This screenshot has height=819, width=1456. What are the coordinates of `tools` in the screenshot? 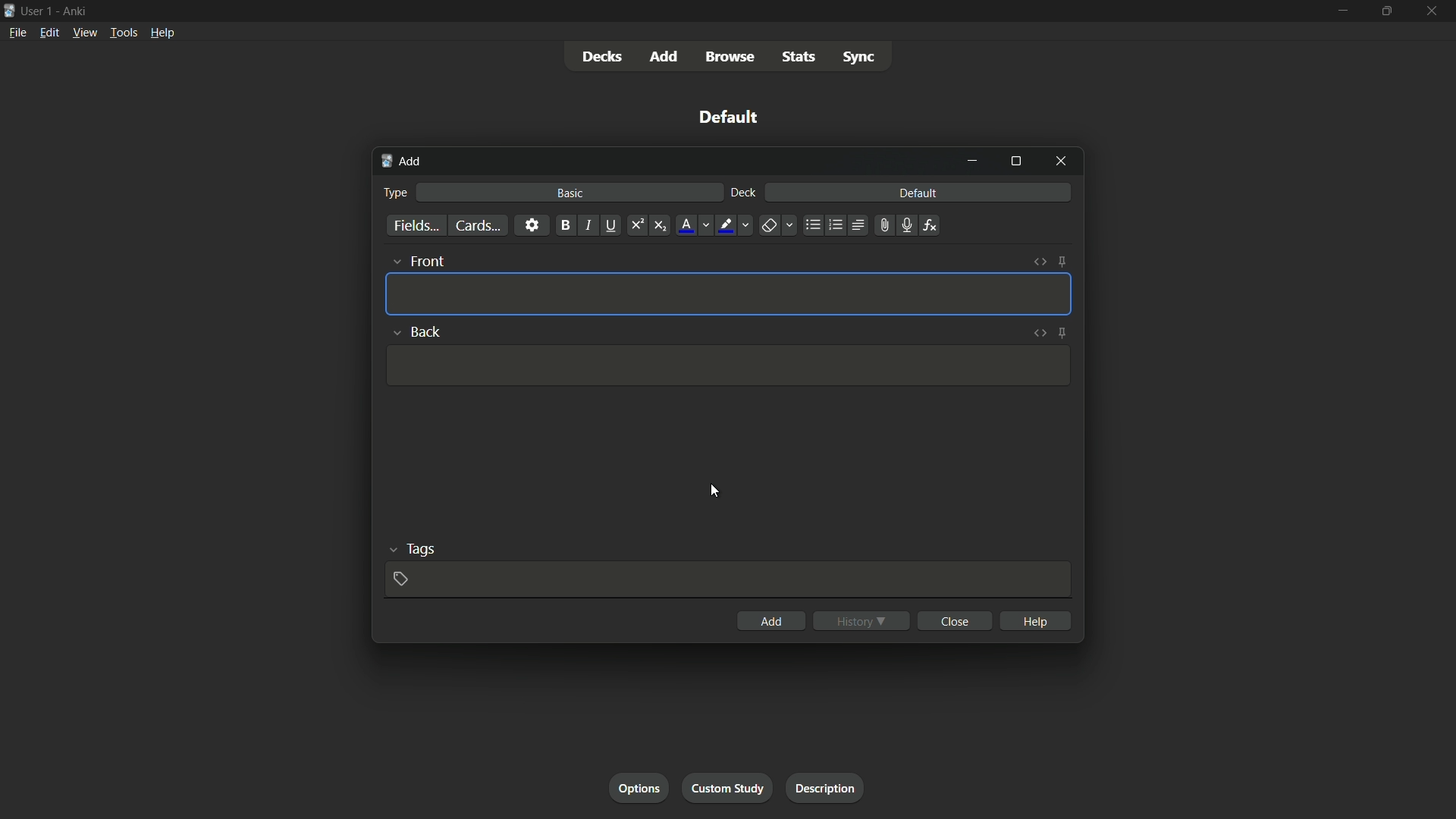 It's located at (122, 34).